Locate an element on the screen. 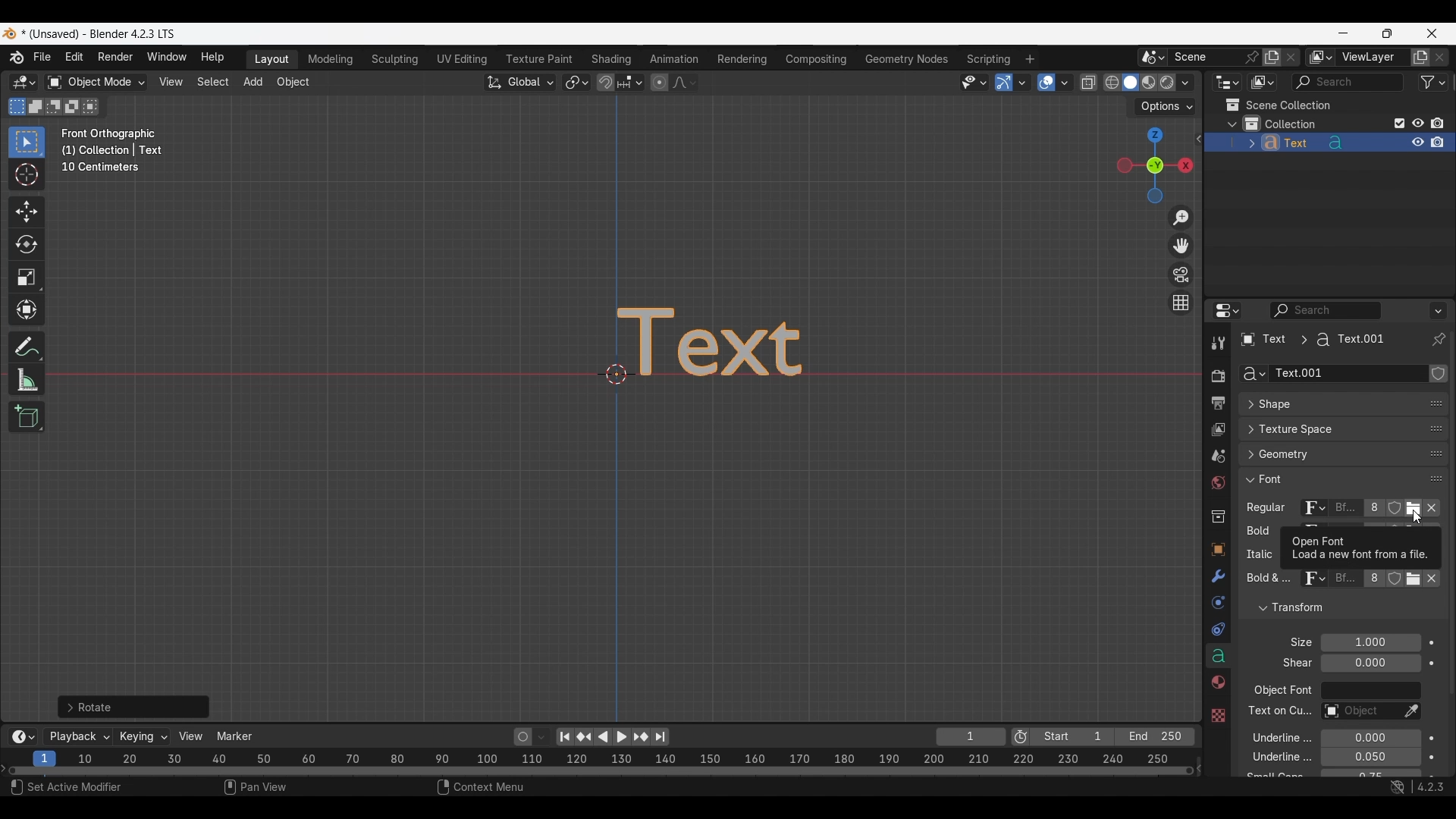 This screenshot has width=1456, height=819. Material is located at coordinates (1216, 683).